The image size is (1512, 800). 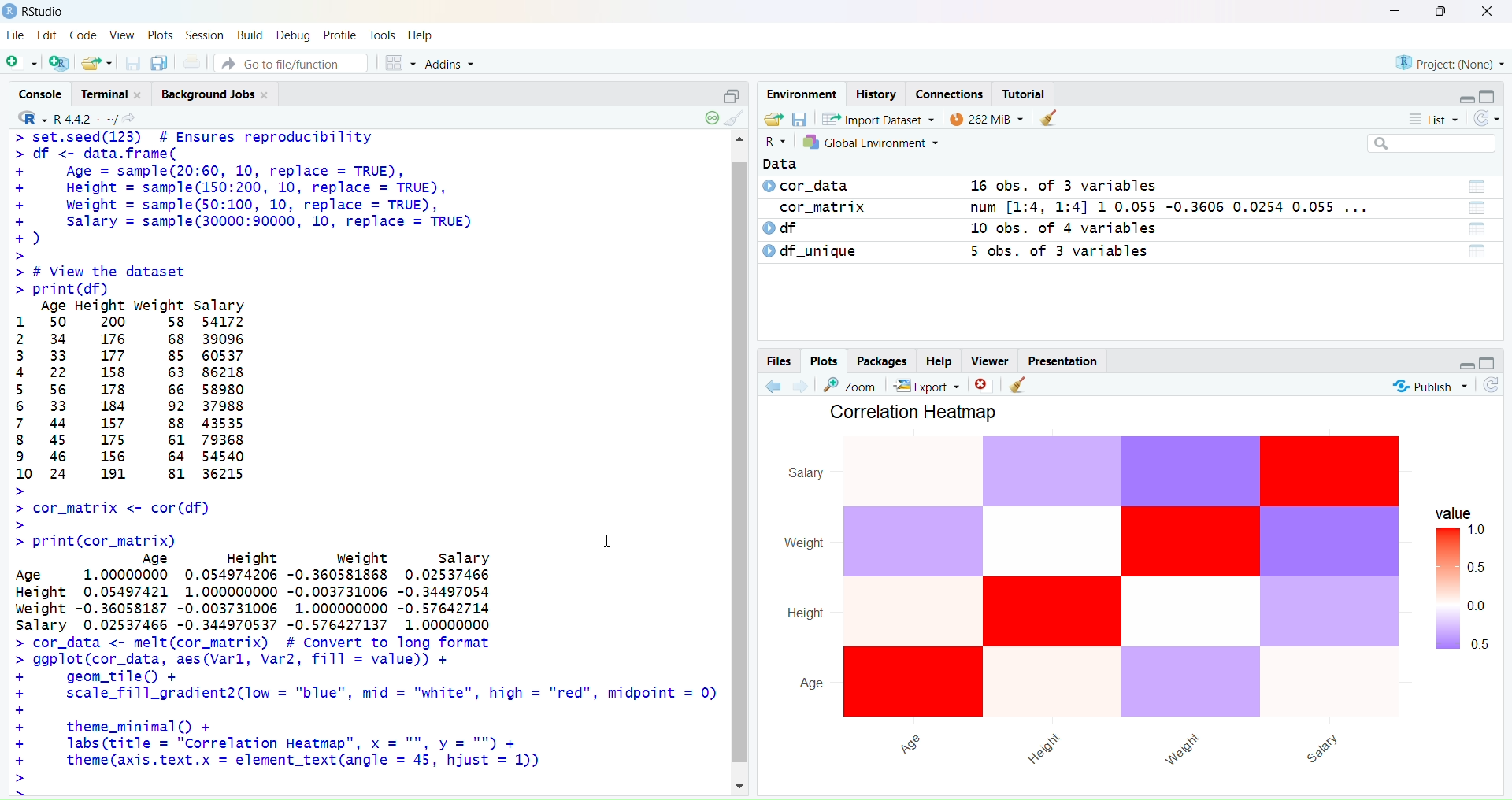 I want to click on Console, so click(x=46, y=93).